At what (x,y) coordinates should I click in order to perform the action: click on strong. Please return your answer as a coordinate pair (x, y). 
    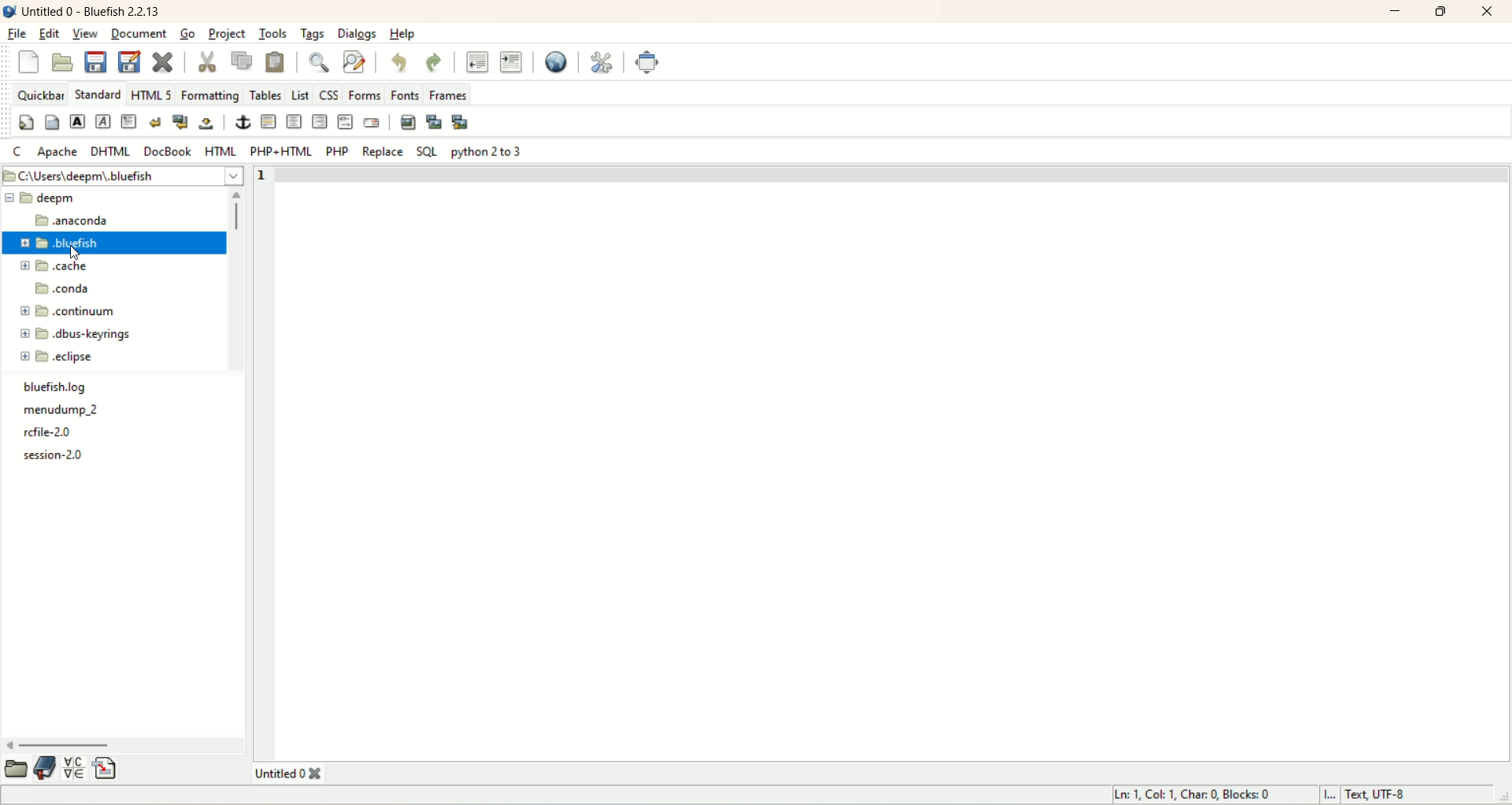
    Looking at the image, I should click on (78, 121).